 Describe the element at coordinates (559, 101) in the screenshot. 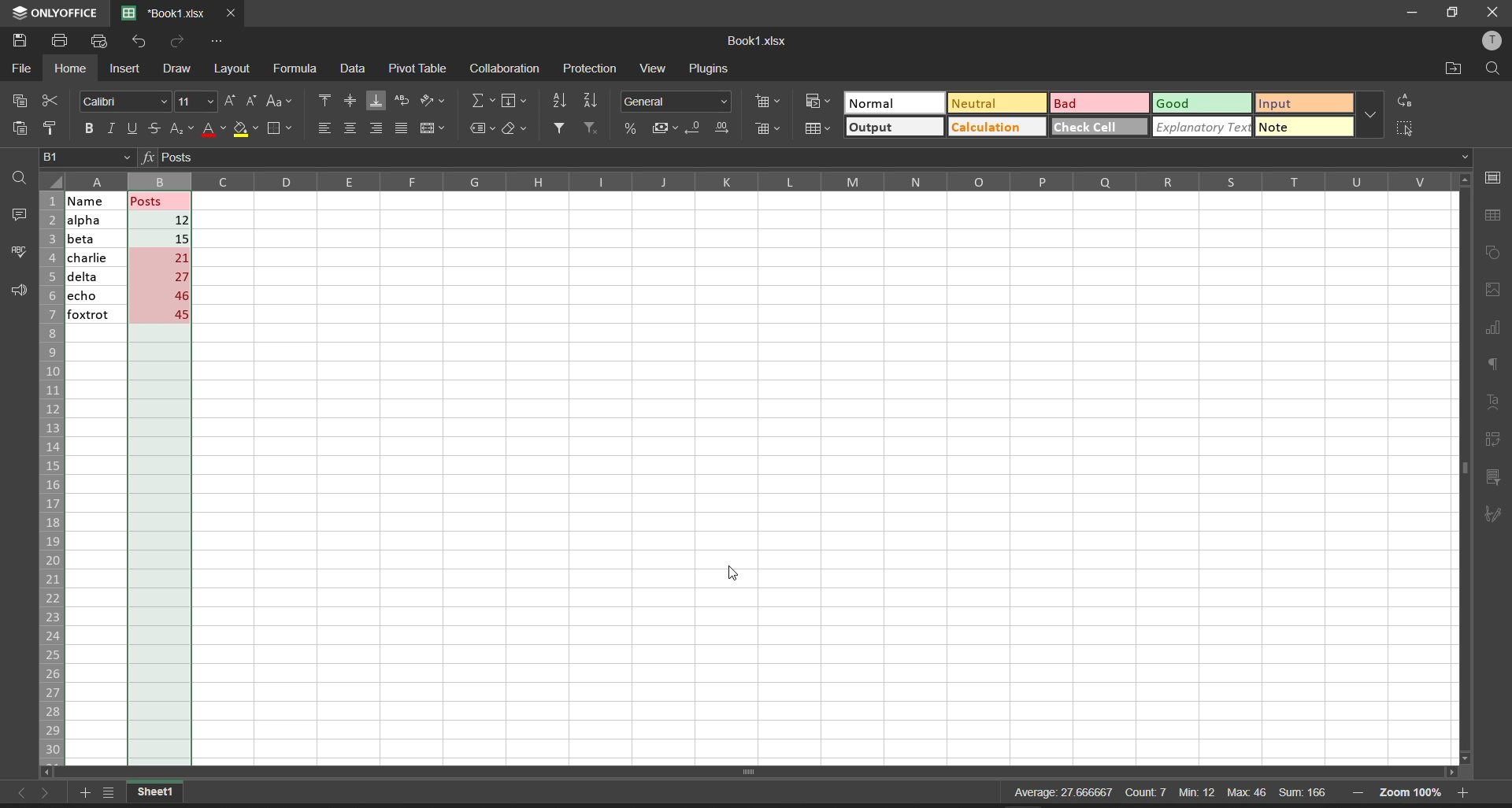

I see `sort ascending` at that location.